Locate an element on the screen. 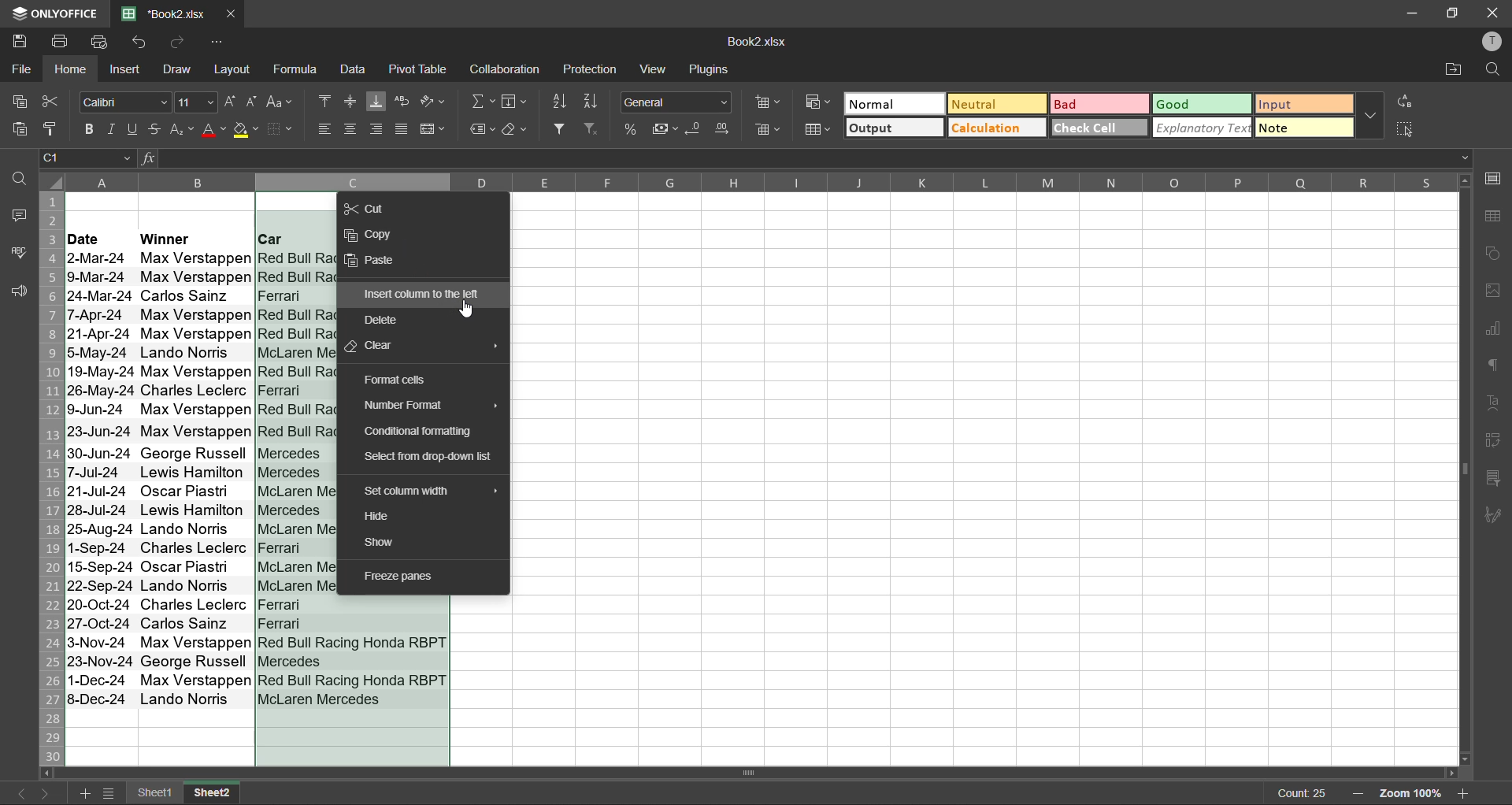  sort ascending is located at coordinates (562, 105).